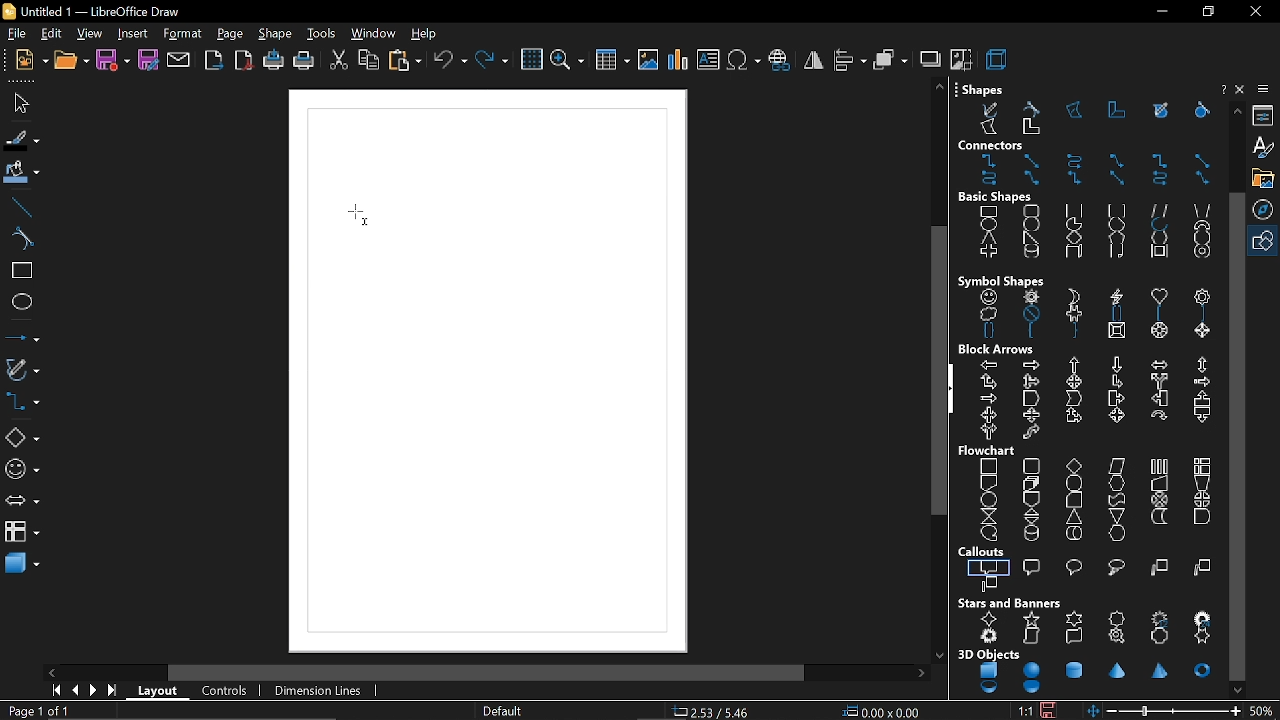 This screenshot has height=720, width=1280. Describe the element at coordinates (1206, 12) in the screenshot. I see `restore down` at that location.